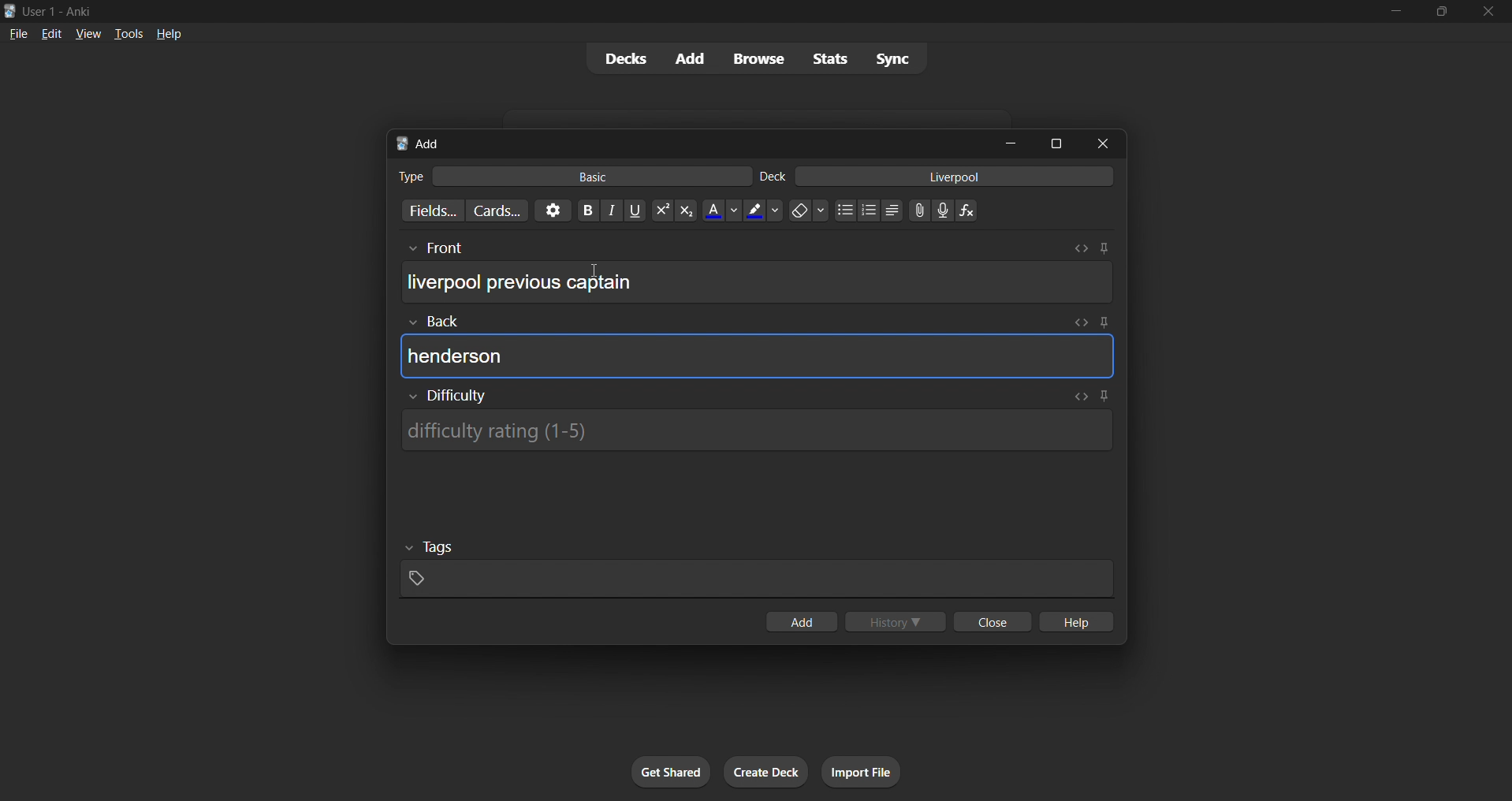 This screenshot has width=1512, height=801. What do you see at coordinates (425, 212) in the screenshot?
I see `customize fields` at bounding box center [425, 212].